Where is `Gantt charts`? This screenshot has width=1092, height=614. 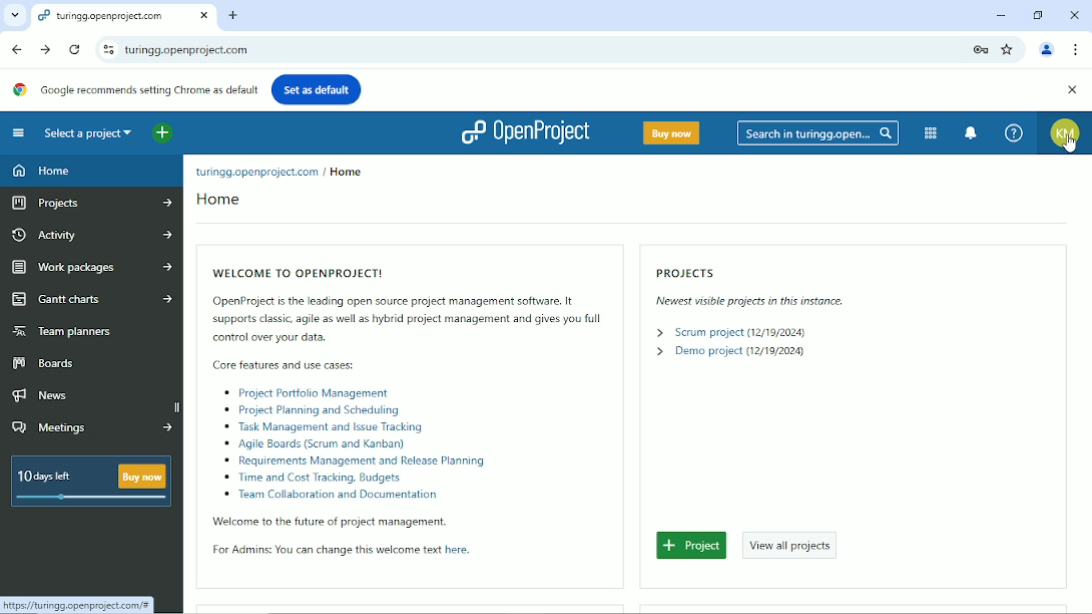 Gantt charts is located at coordinates (93, 300).